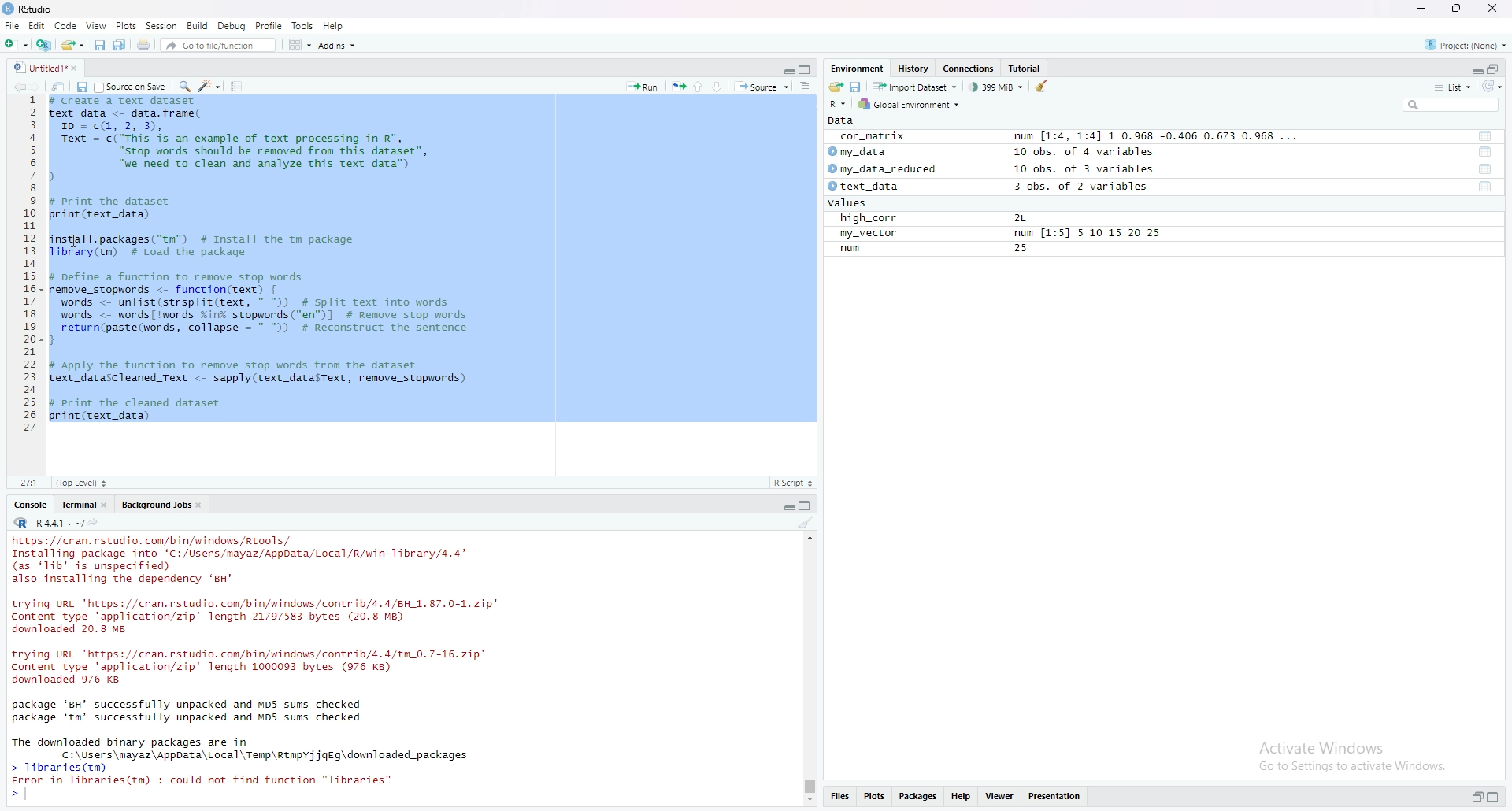 The width and height of the screenshot is (1512, 811). What do you see at coordinates (1022, 250) in the screenshot?
I see `25` at bounding box center [1022, 250].